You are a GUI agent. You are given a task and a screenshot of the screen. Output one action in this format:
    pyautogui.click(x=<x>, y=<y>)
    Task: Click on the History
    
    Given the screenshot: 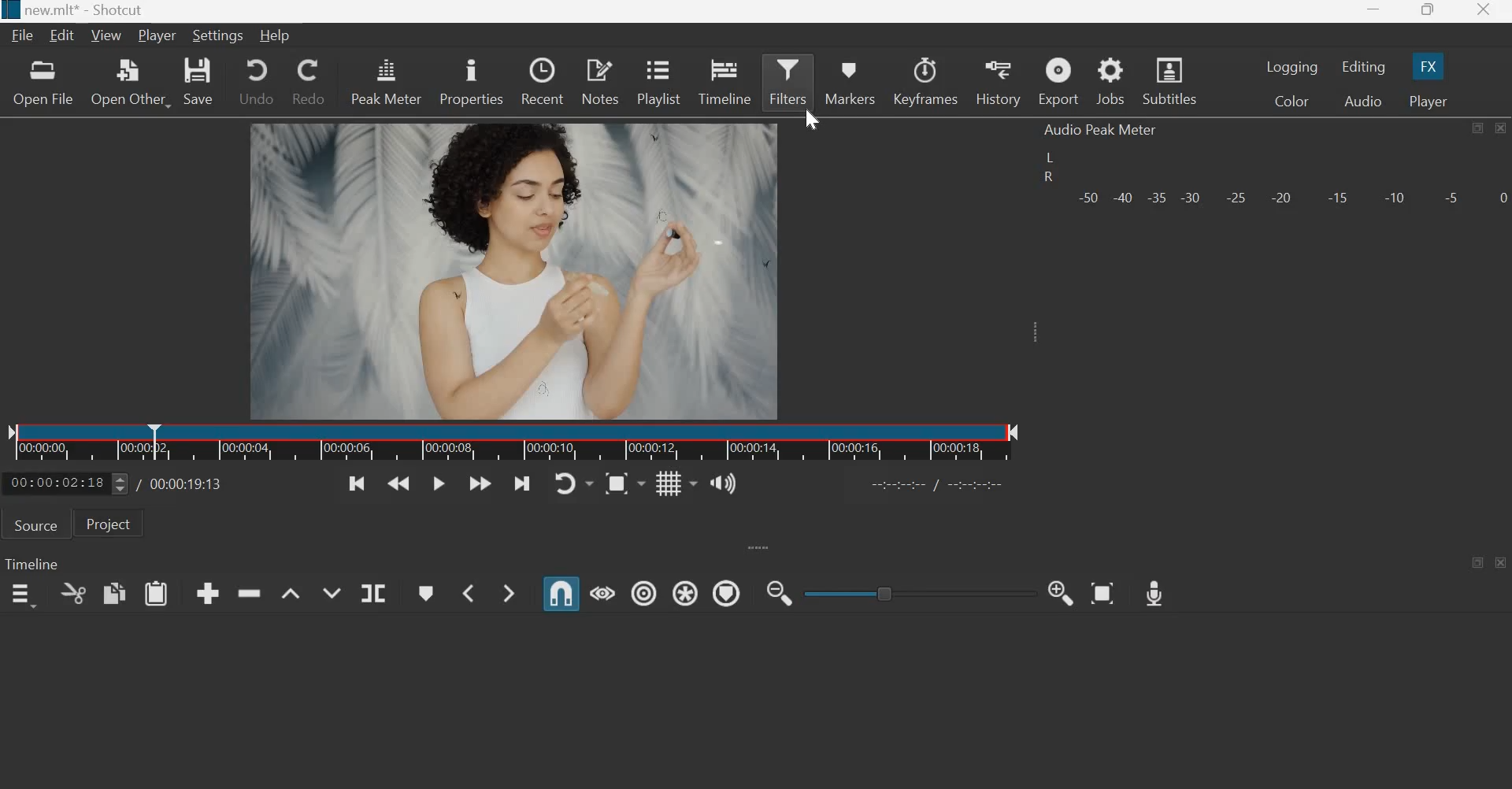 What is the action you would take?
    pyautogui.click(x=999, y=82)
    